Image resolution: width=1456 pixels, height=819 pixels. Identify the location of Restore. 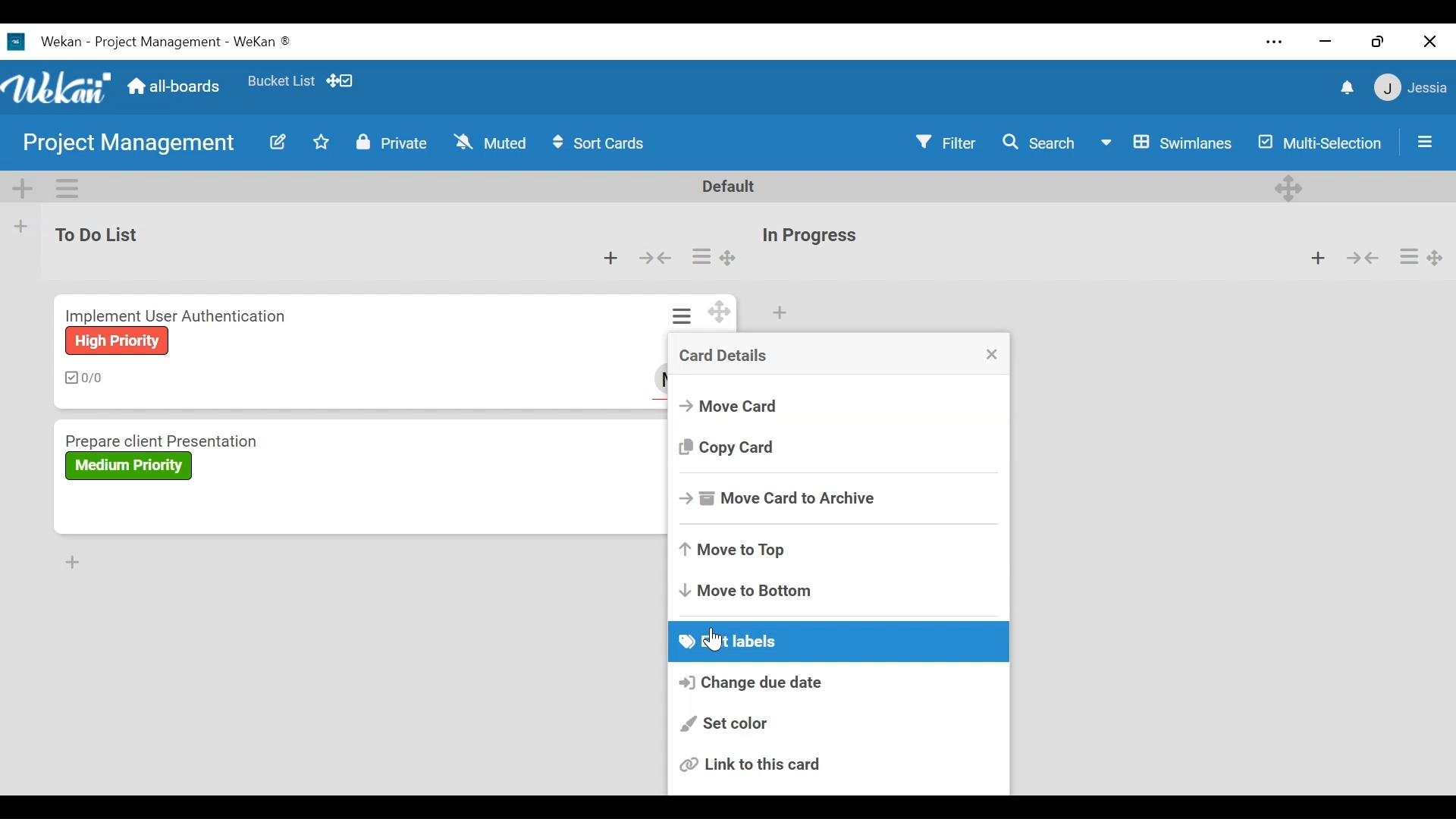
(1379, 41).